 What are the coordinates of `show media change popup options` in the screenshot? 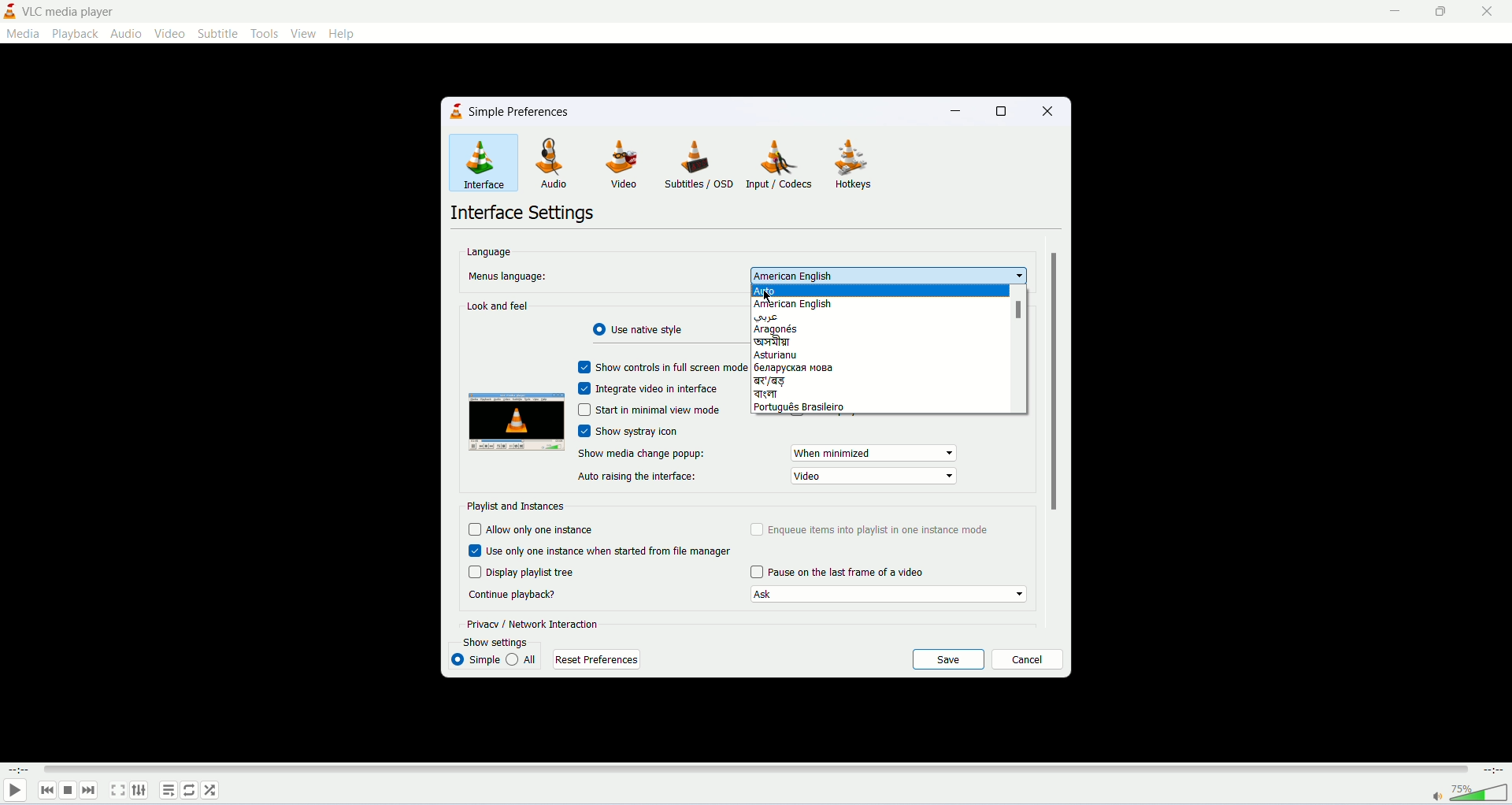 It's located at (873, 453).